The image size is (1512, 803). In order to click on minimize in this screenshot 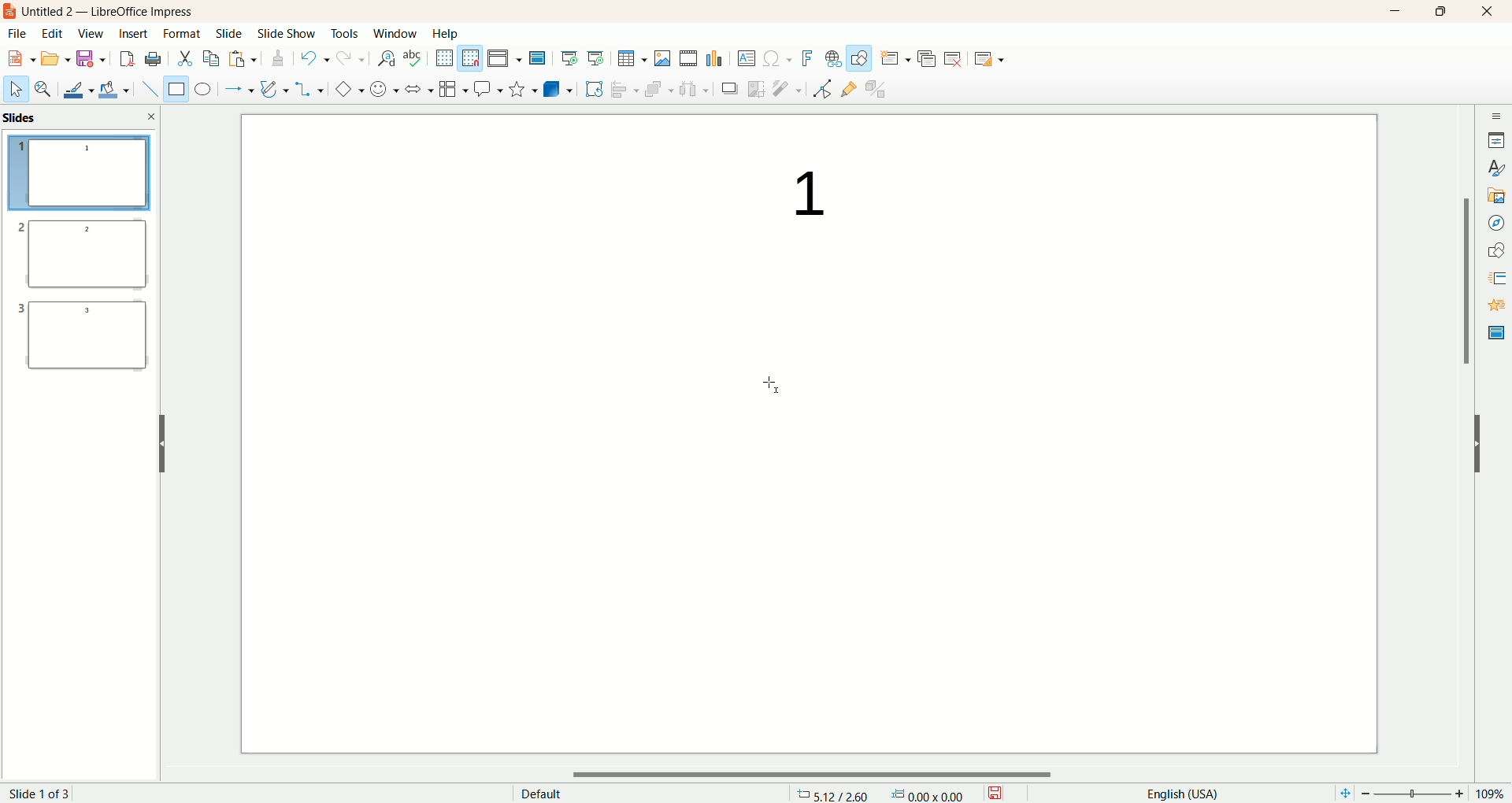, I will do `click(1395, 12)`.